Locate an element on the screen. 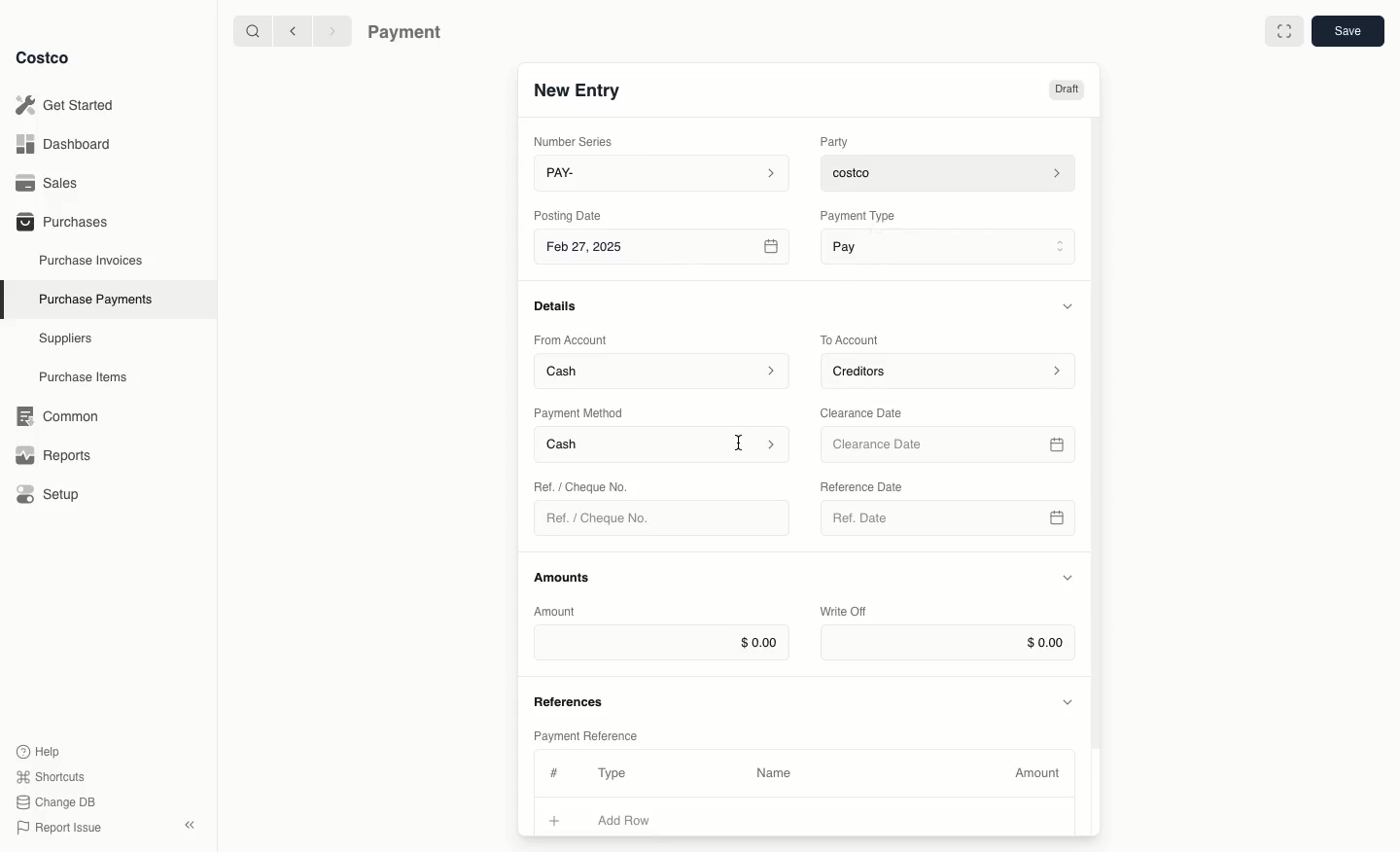  Posting Date is located at coordinates (570, 214).